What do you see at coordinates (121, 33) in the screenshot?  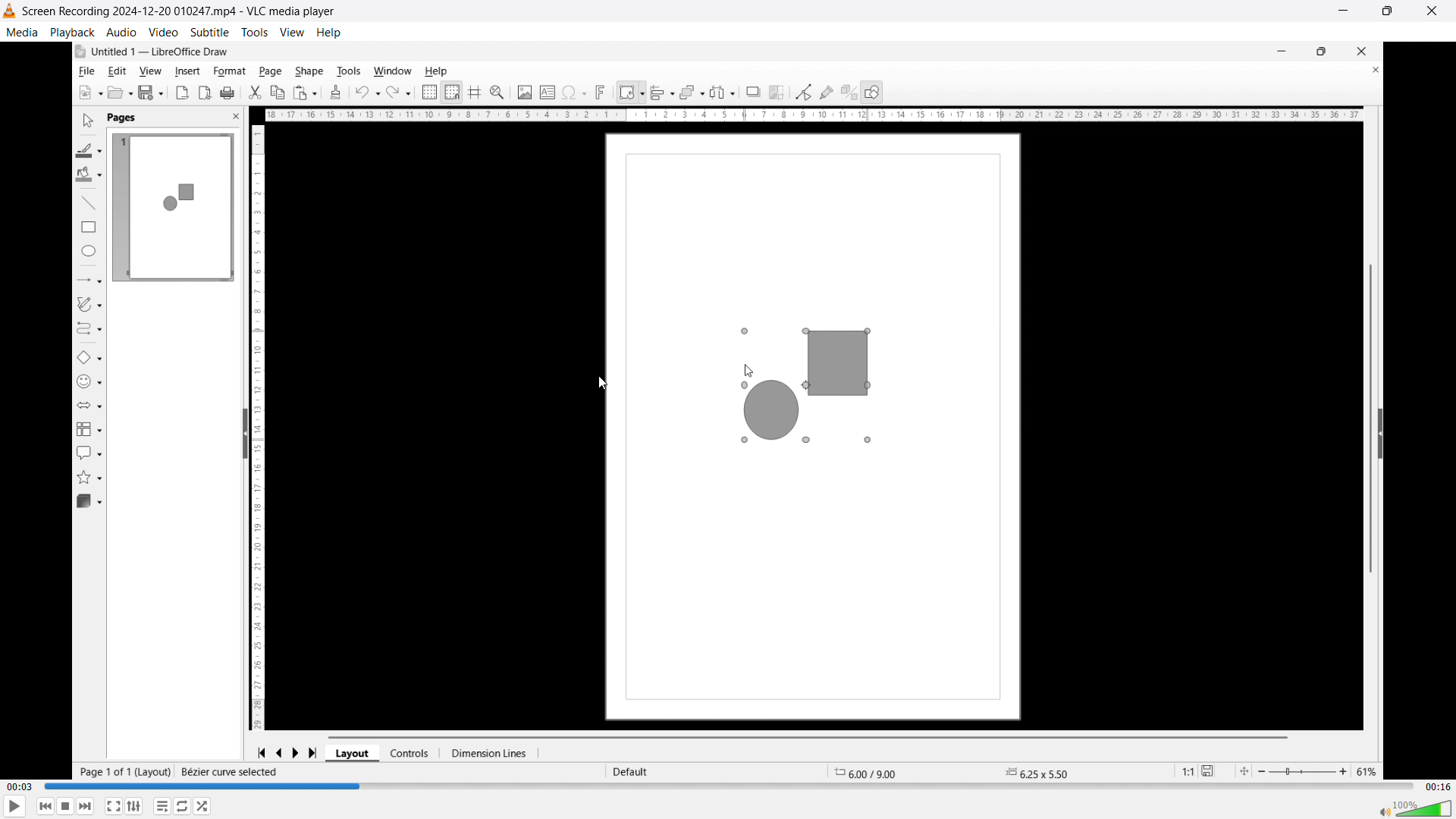 I see `audio` at bounding box center [121, 33].